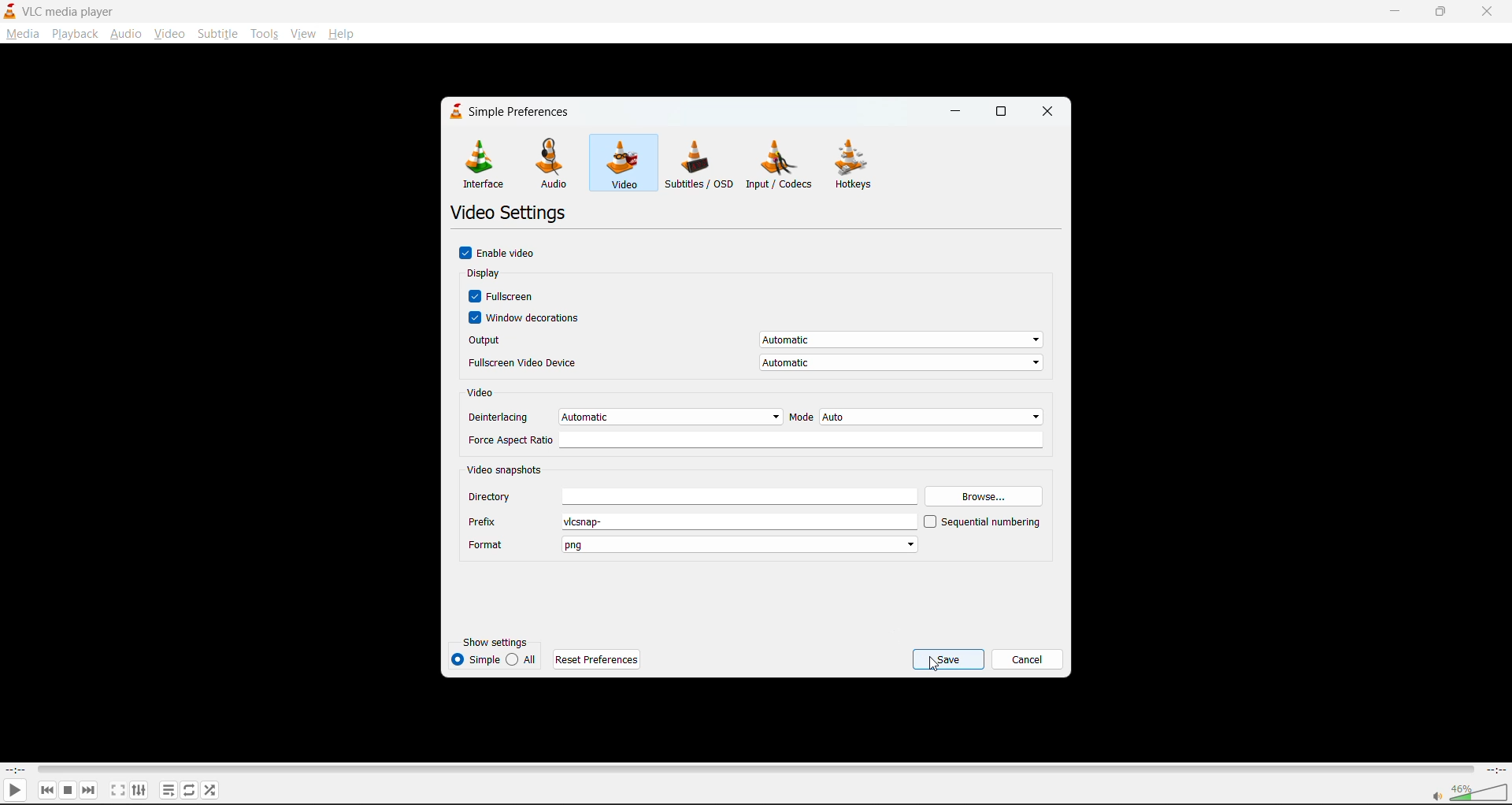 This screenshot has width=1512, height=805. What do you see at coordinates (508, 214) in the screenshot?
I see `video settings` at bounding box center [508, 214].